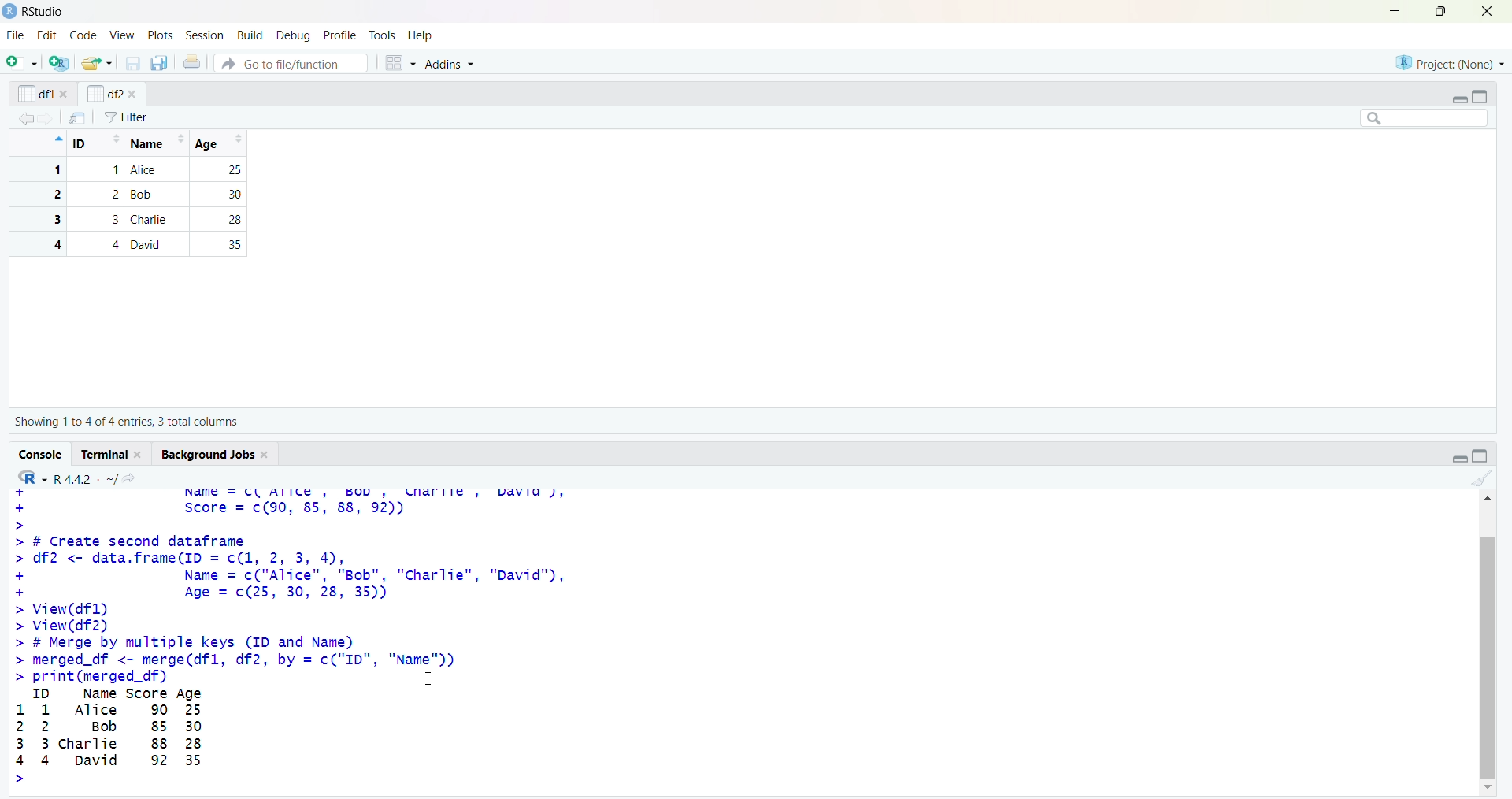 The height and width of the screenshot is (799, 1512). Describe the element at coordinates (57, 139) in the screenshot. I see `icon` at that location.